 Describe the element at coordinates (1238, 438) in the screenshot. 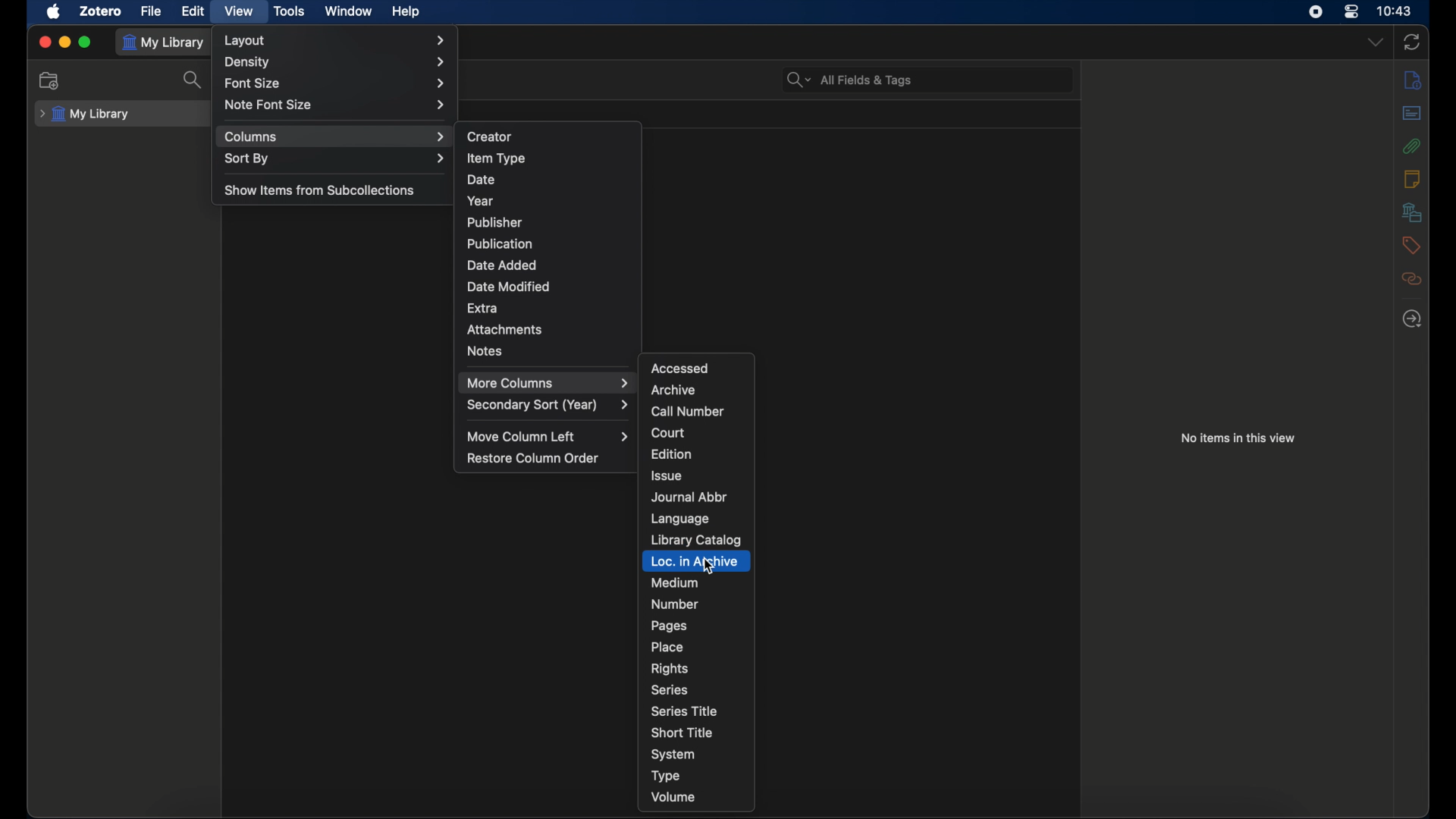

I see `no items in this view` at that location.